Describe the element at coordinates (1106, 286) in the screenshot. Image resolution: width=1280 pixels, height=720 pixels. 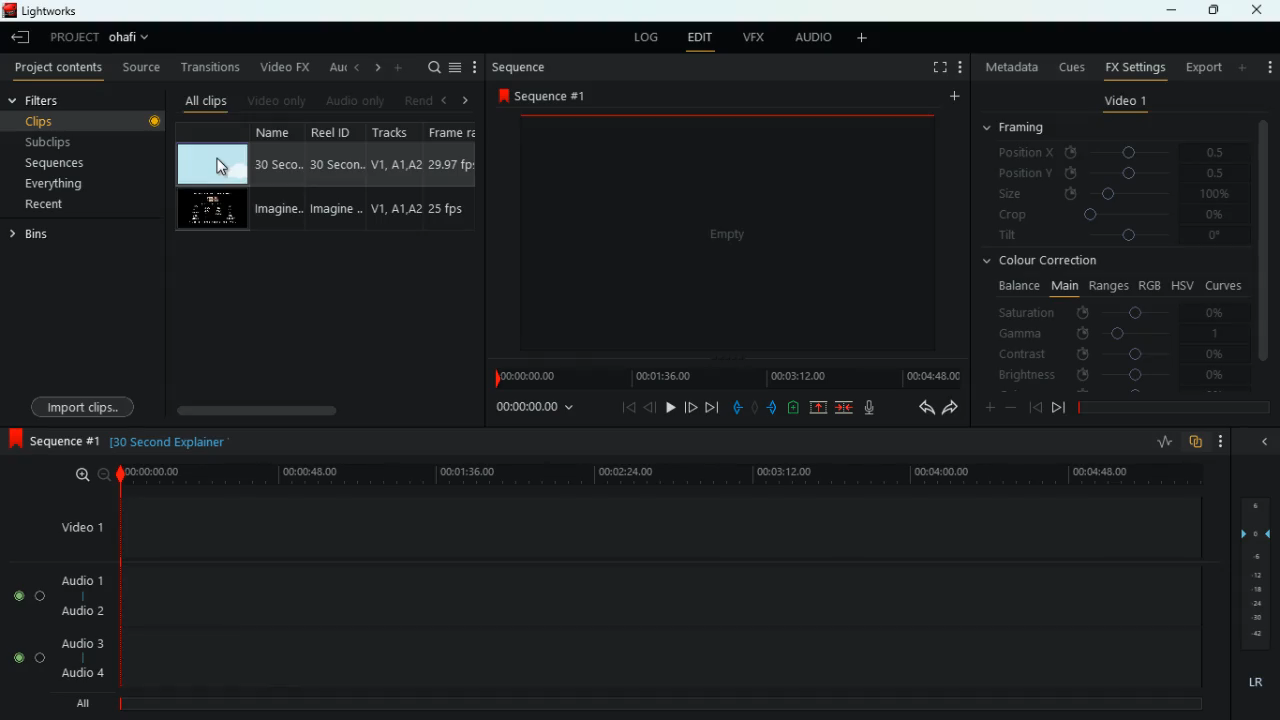
I see `ranges` at that location.